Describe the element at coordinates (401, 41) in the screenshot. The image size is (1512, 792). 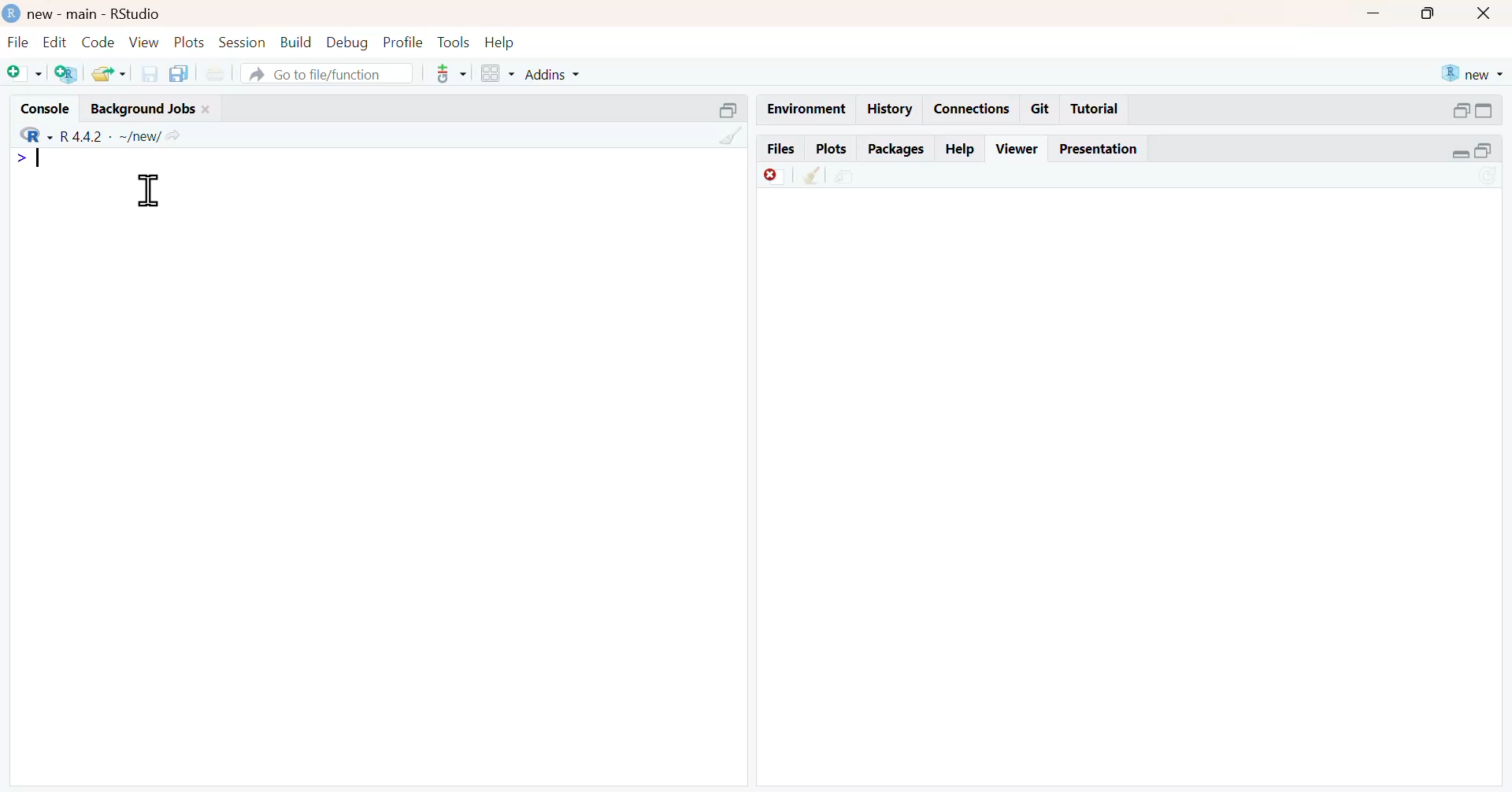
I see `profile` at that location.